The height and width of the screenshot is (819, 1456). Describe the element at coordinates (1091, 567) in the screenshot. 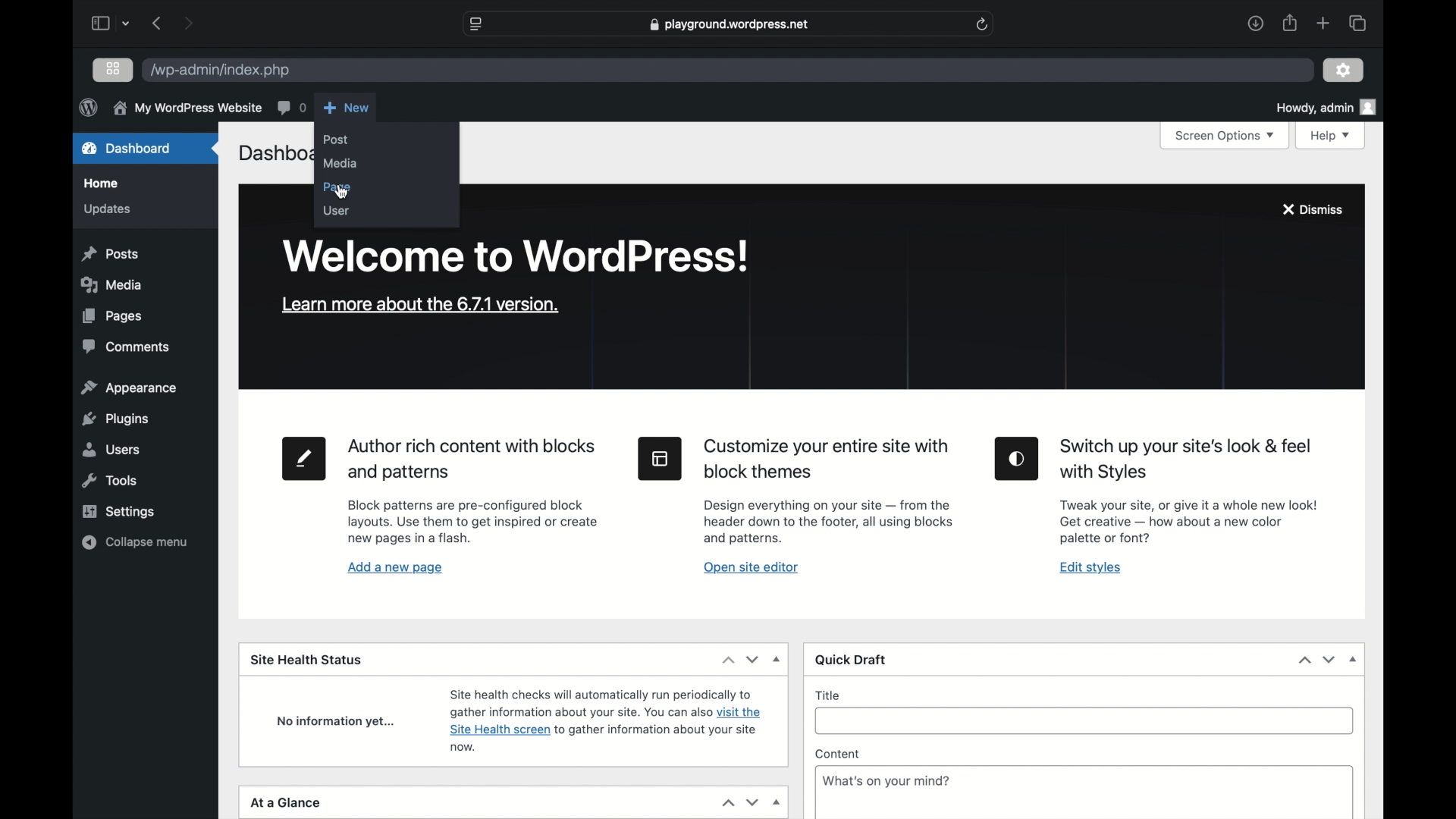

I see `edit styles` at that location.